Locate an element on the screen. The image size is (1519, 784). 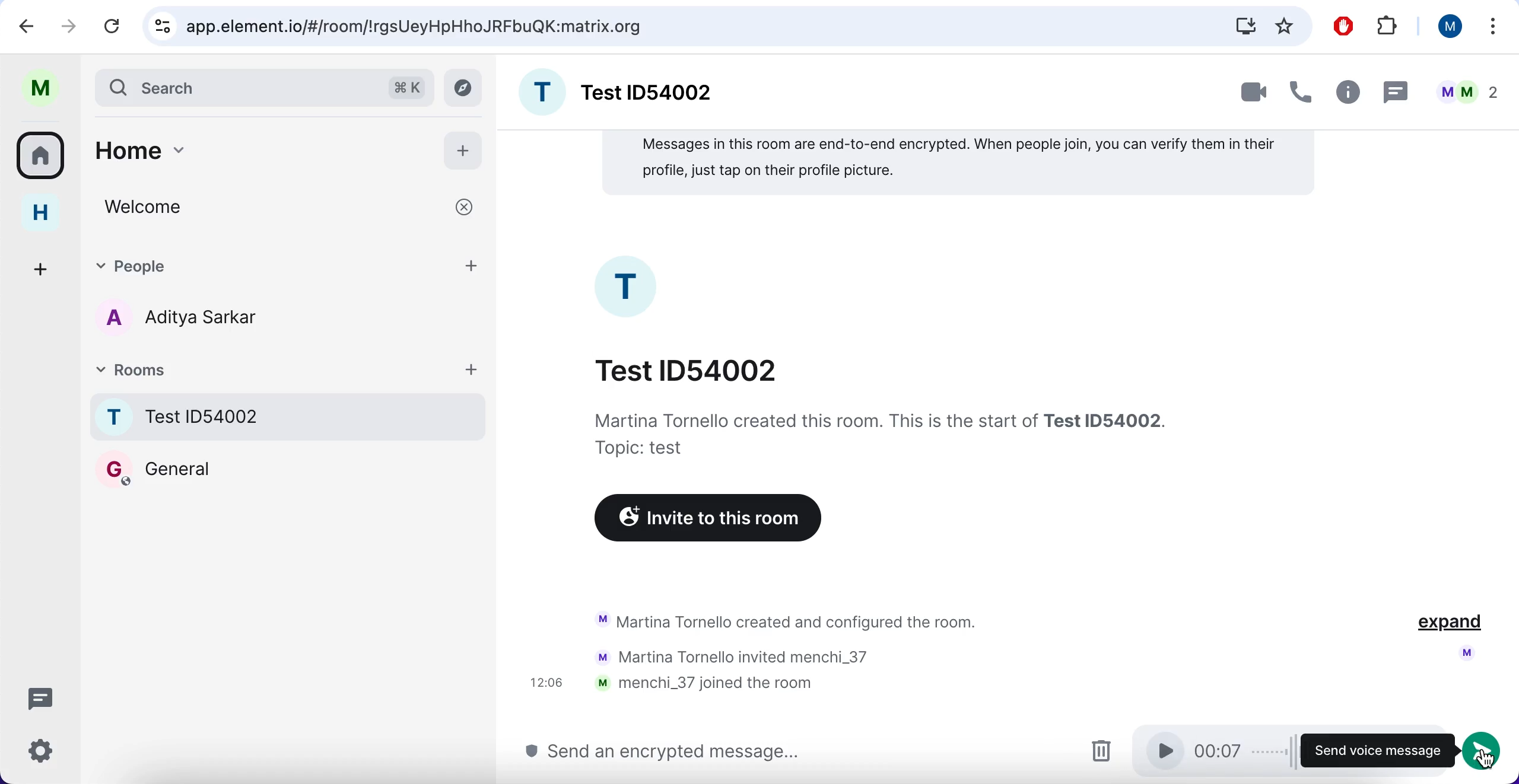
call is located at coordinates (1302, 88).